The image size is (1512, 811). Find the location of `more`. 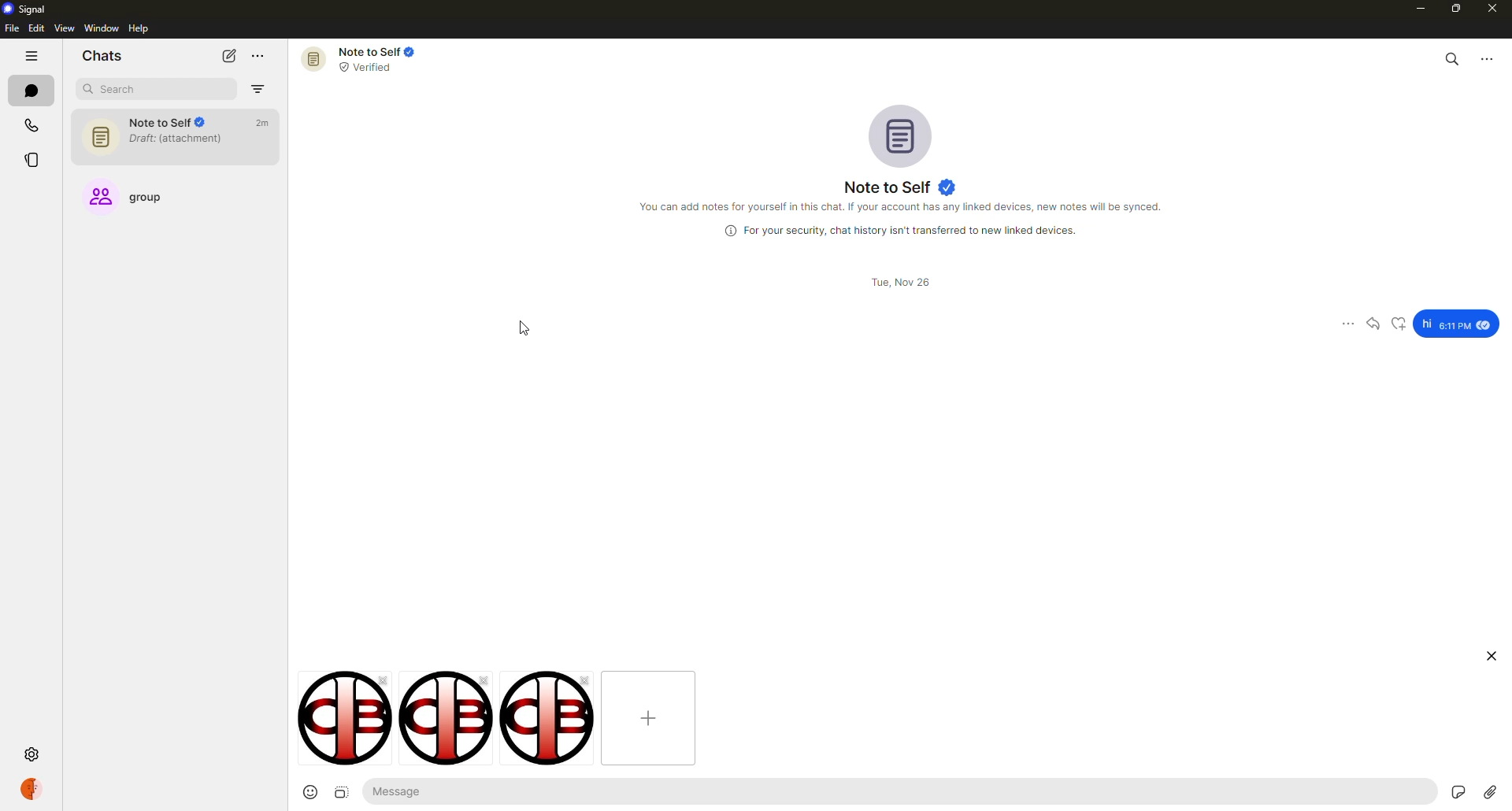

more is located at coordinates (1343, 324).